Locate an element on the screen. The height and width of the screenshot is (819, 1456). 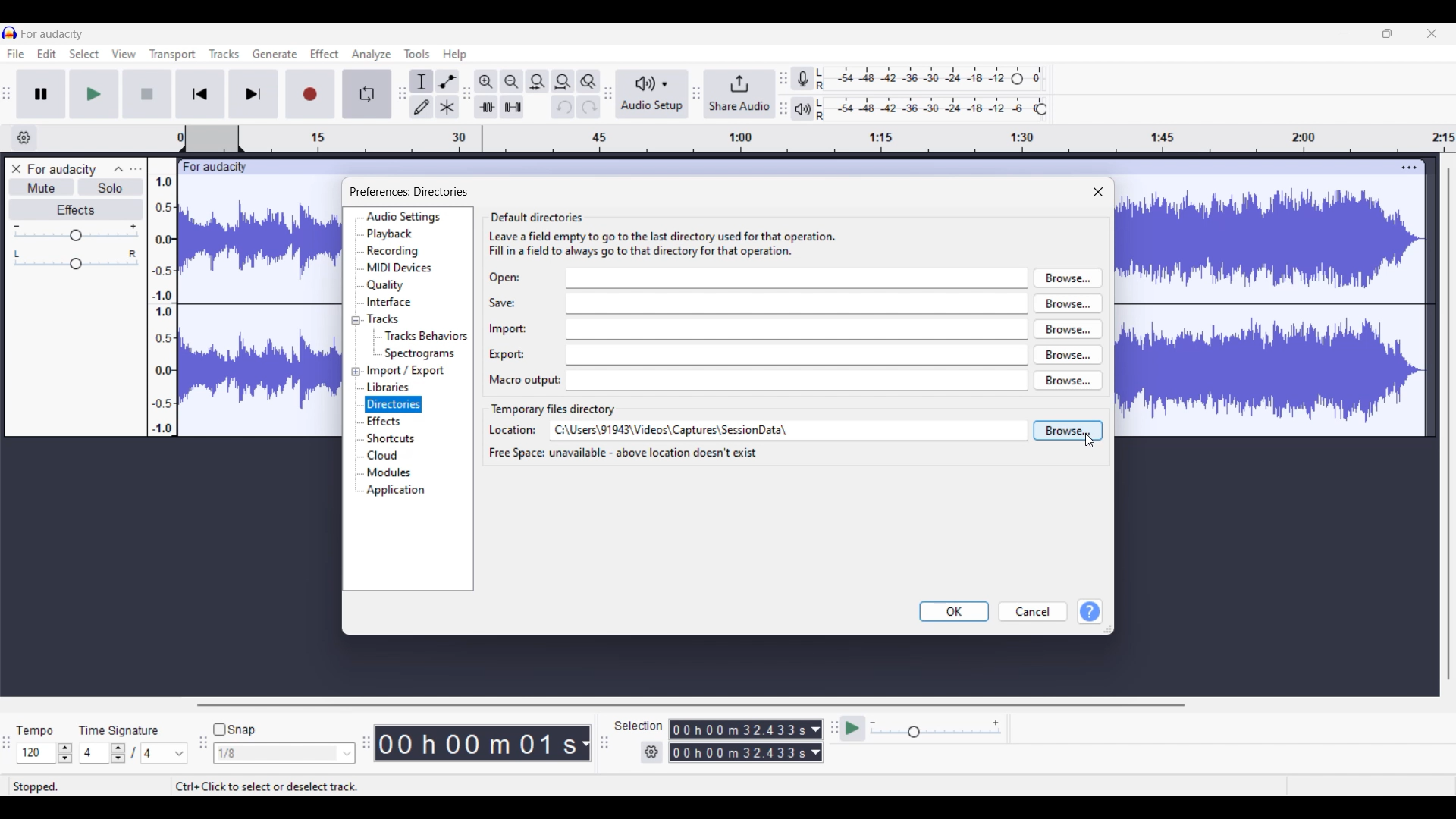
Close interface is located at coordinates (1432, 33).